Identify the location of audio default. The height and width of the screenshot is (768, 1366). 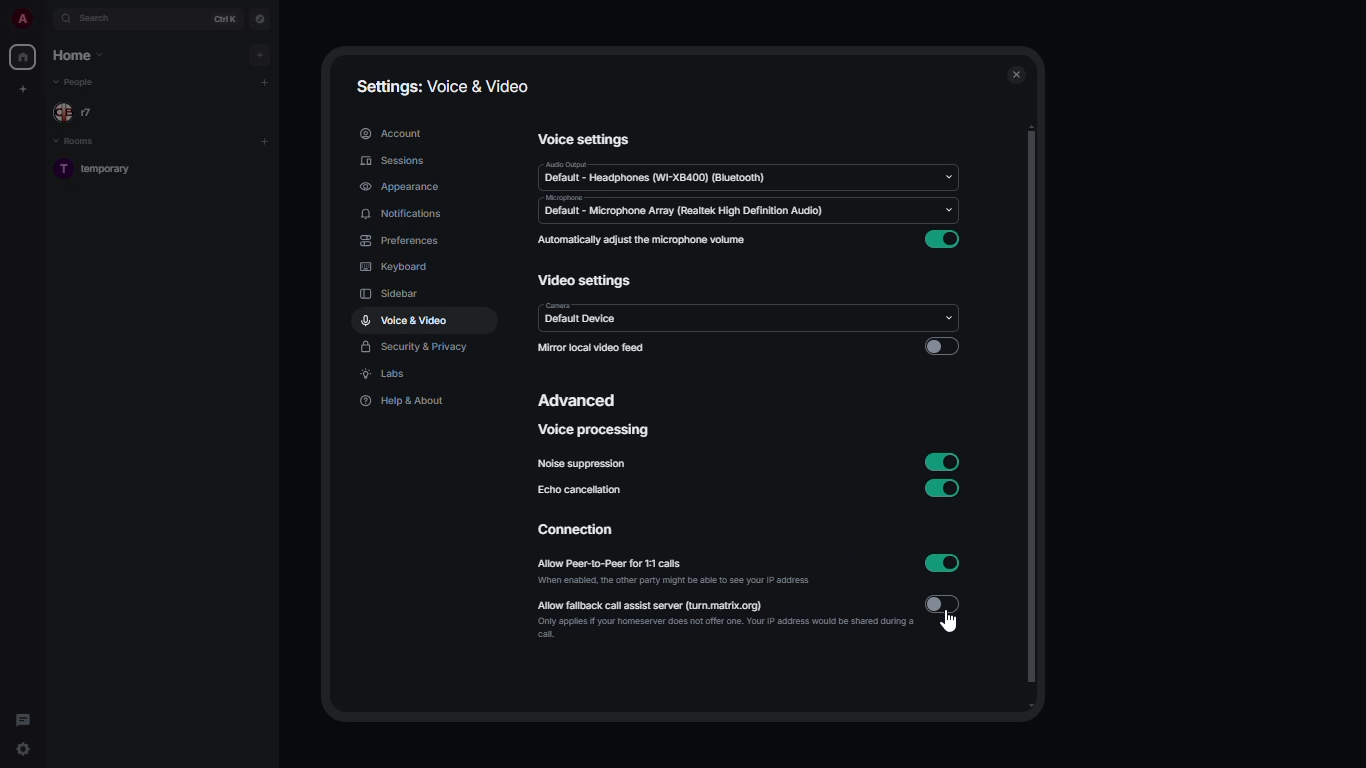
(656, 172).